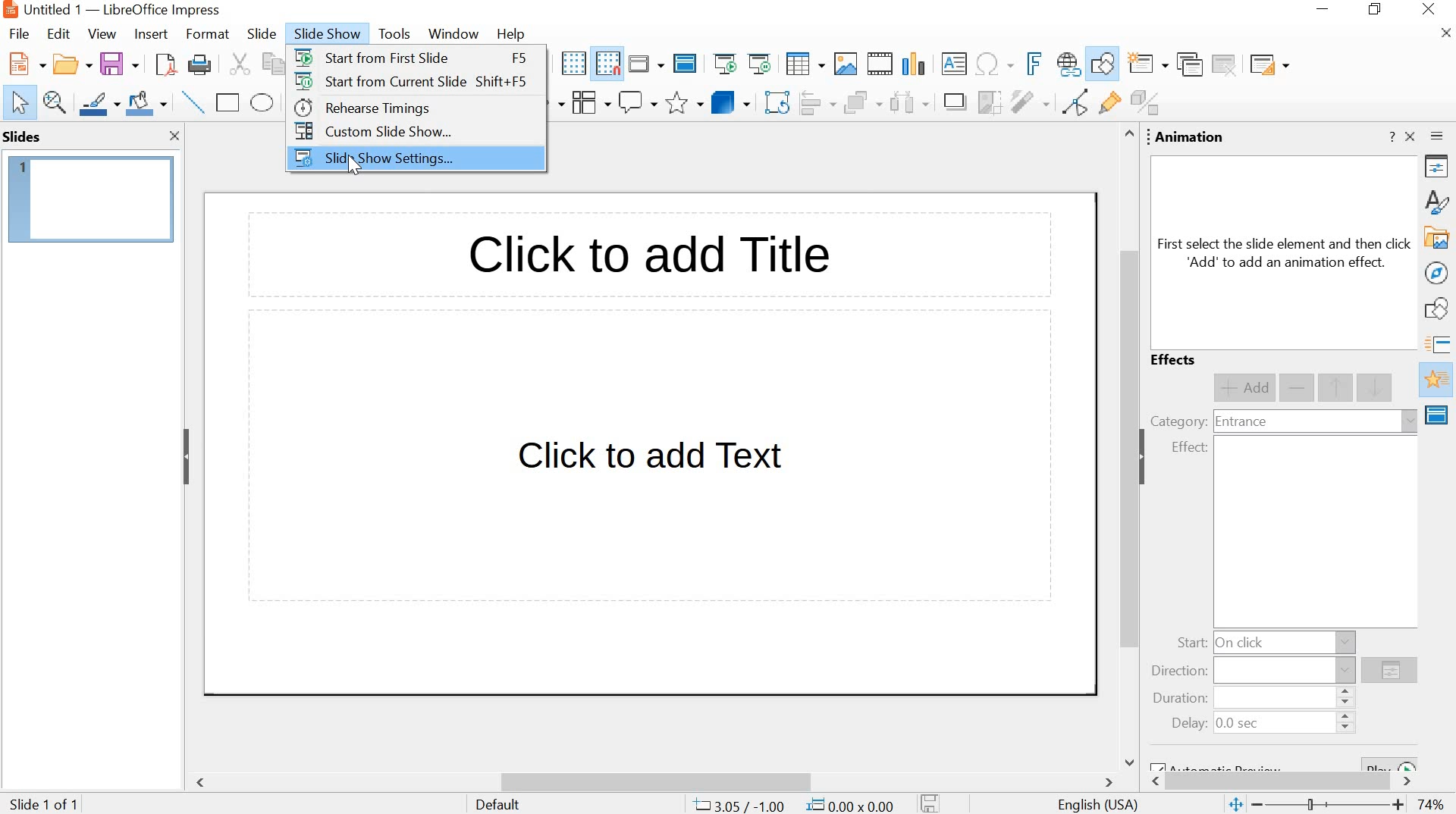  I want to click on filter, so click(1029, 102).